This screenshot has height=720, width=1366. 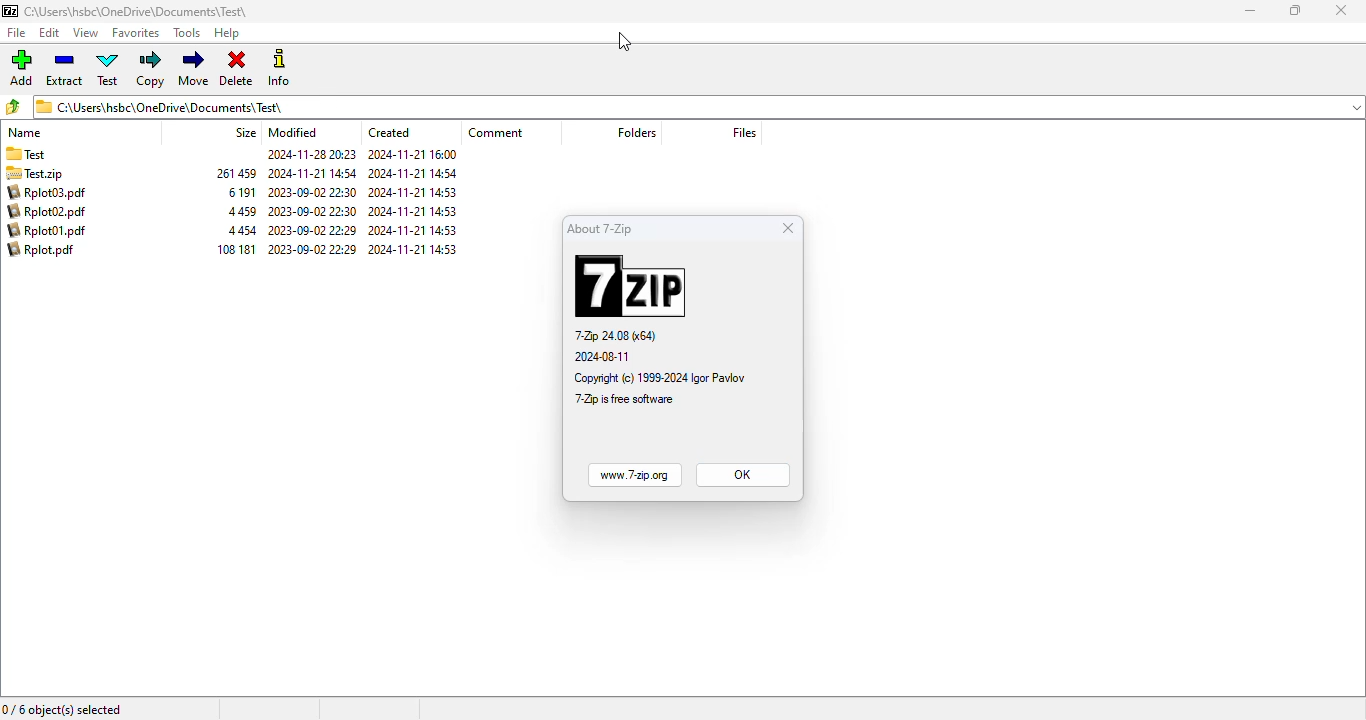 I want to click on maximize, so click(x=1296, y=10).